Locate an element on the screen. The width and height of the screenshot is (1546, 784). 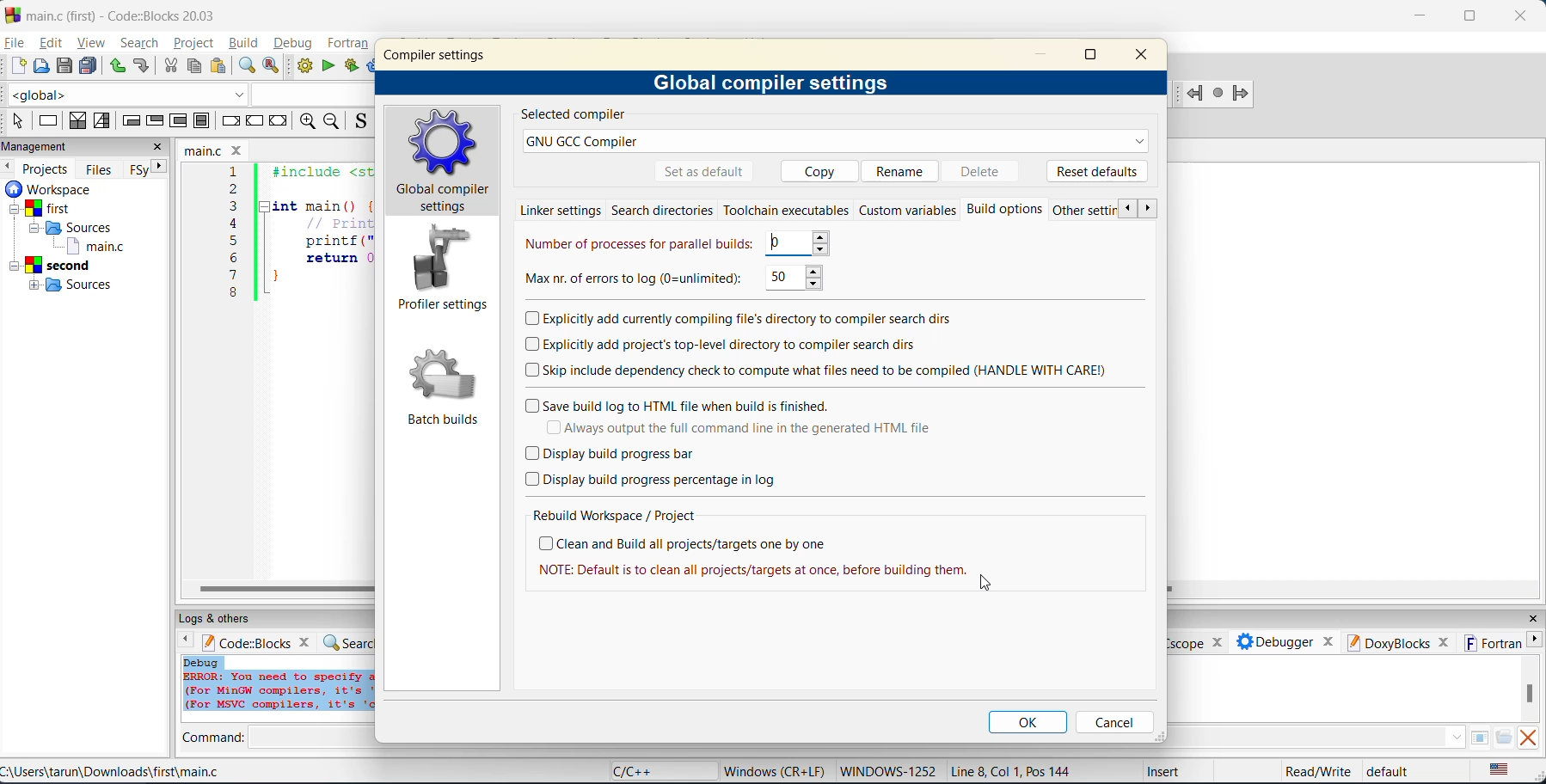
Cursor is located at coordinates (990, 585).